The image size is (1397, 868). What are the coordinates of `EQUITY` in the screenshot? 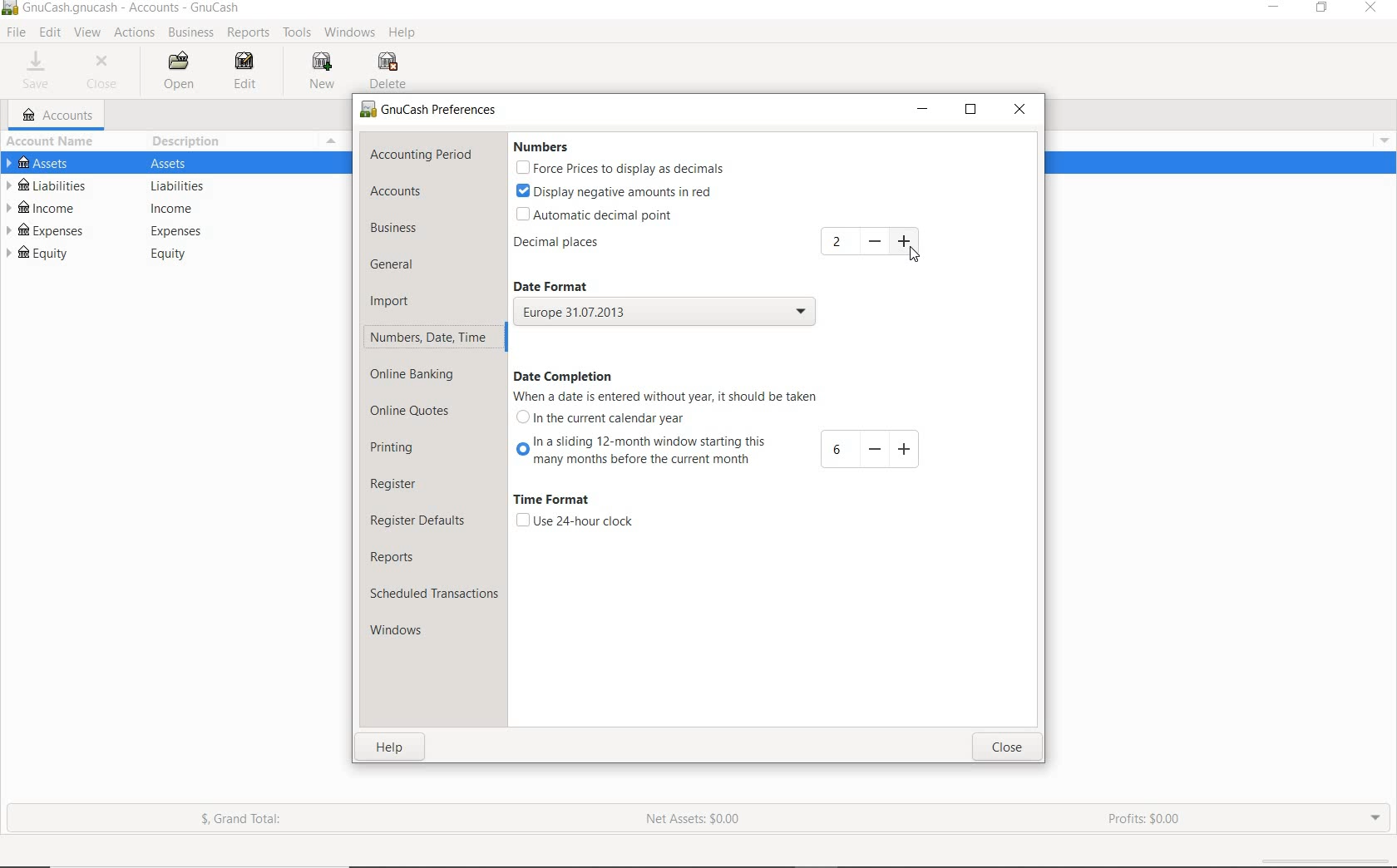 It's located at (177, 254).